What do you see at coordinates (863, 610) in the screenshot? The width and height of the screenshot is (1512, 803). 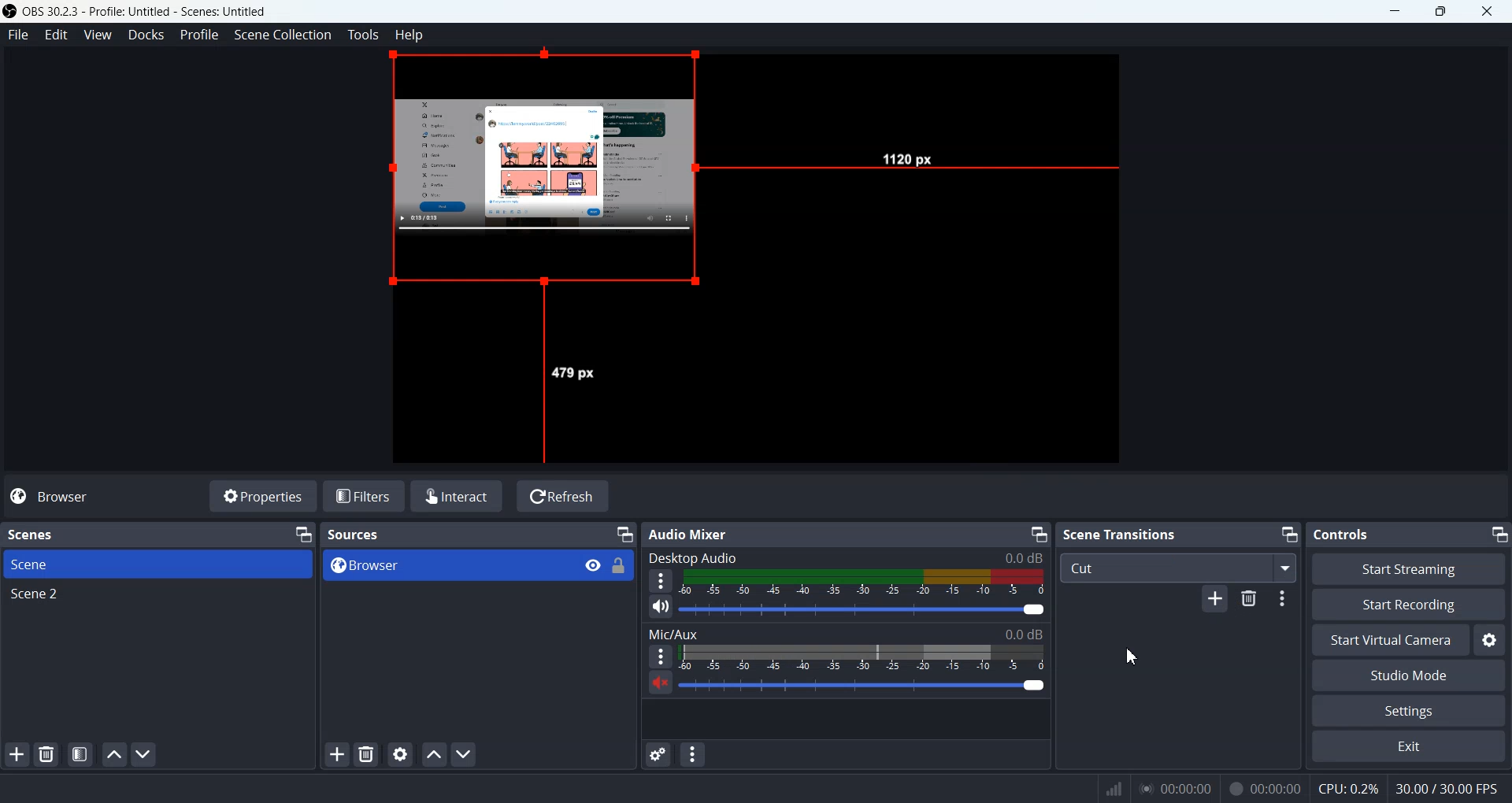 I see `volume adjuster` at bounding box center [863, 610].